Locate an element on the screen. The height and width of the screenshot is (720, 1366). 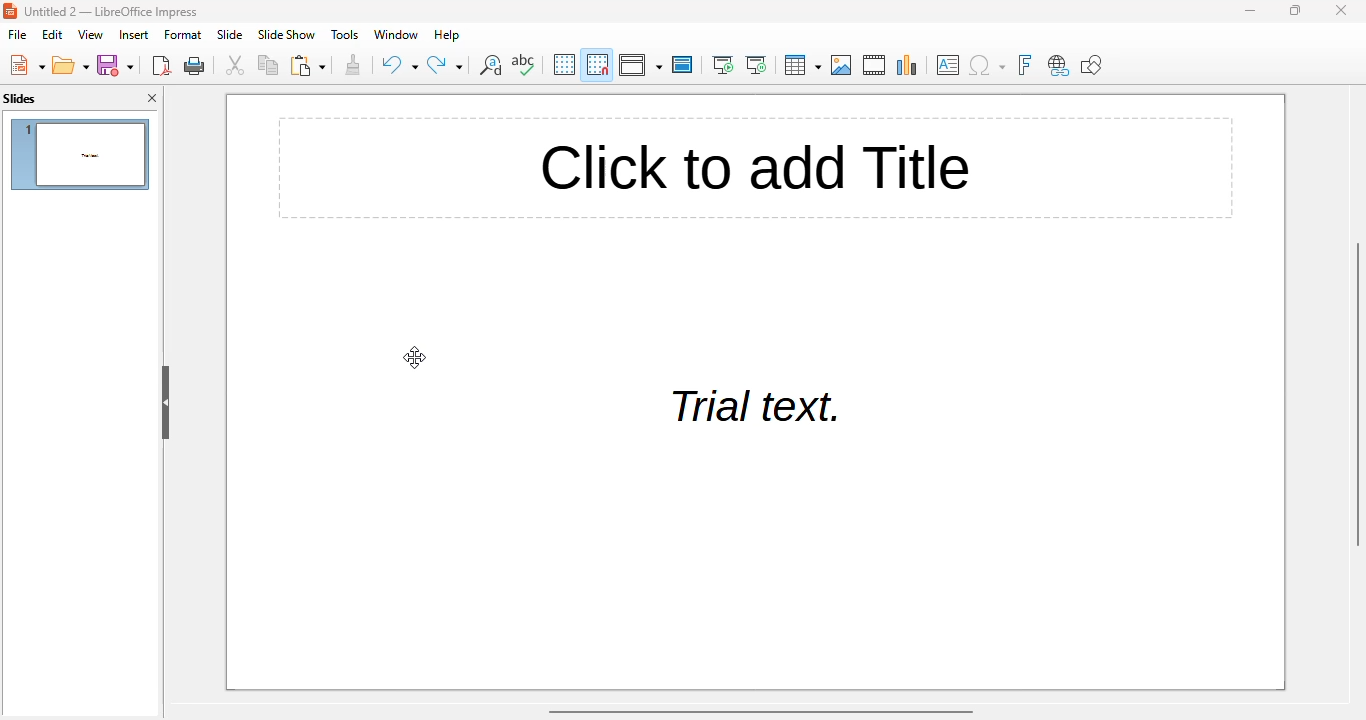
insert audio or video is located at coordinates (875, 65).